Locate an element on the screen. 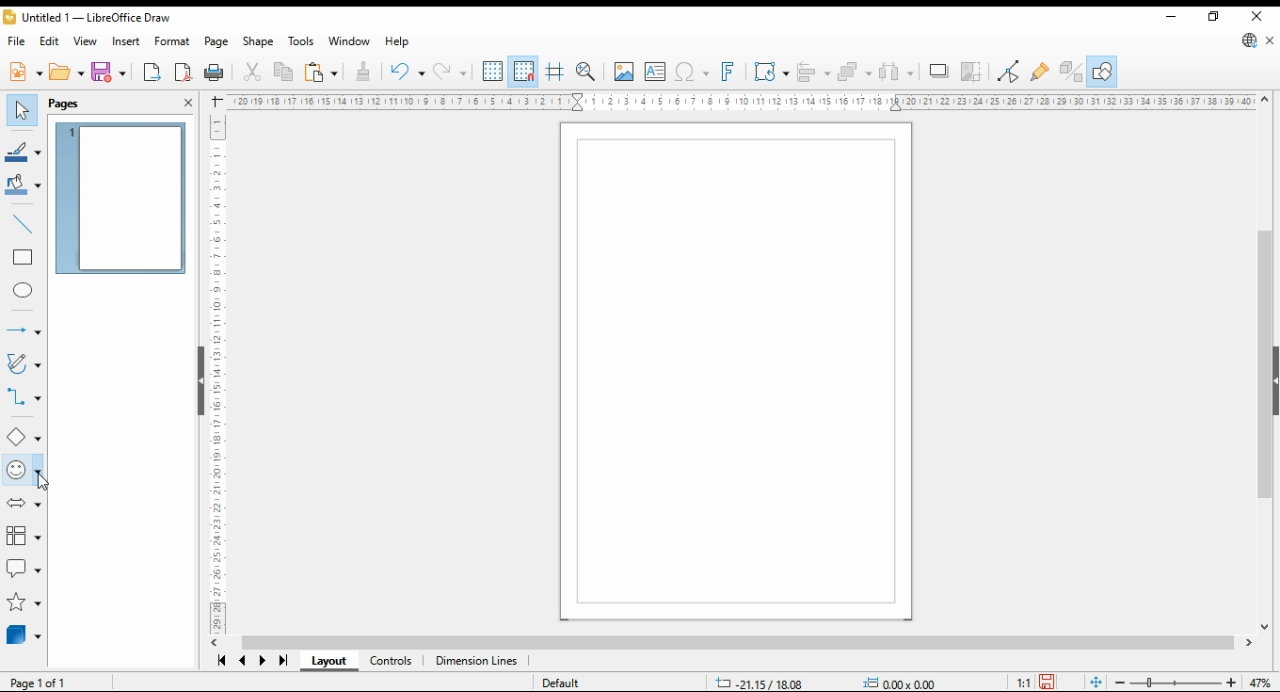  stars and banners is located at coordinates (23, 603).